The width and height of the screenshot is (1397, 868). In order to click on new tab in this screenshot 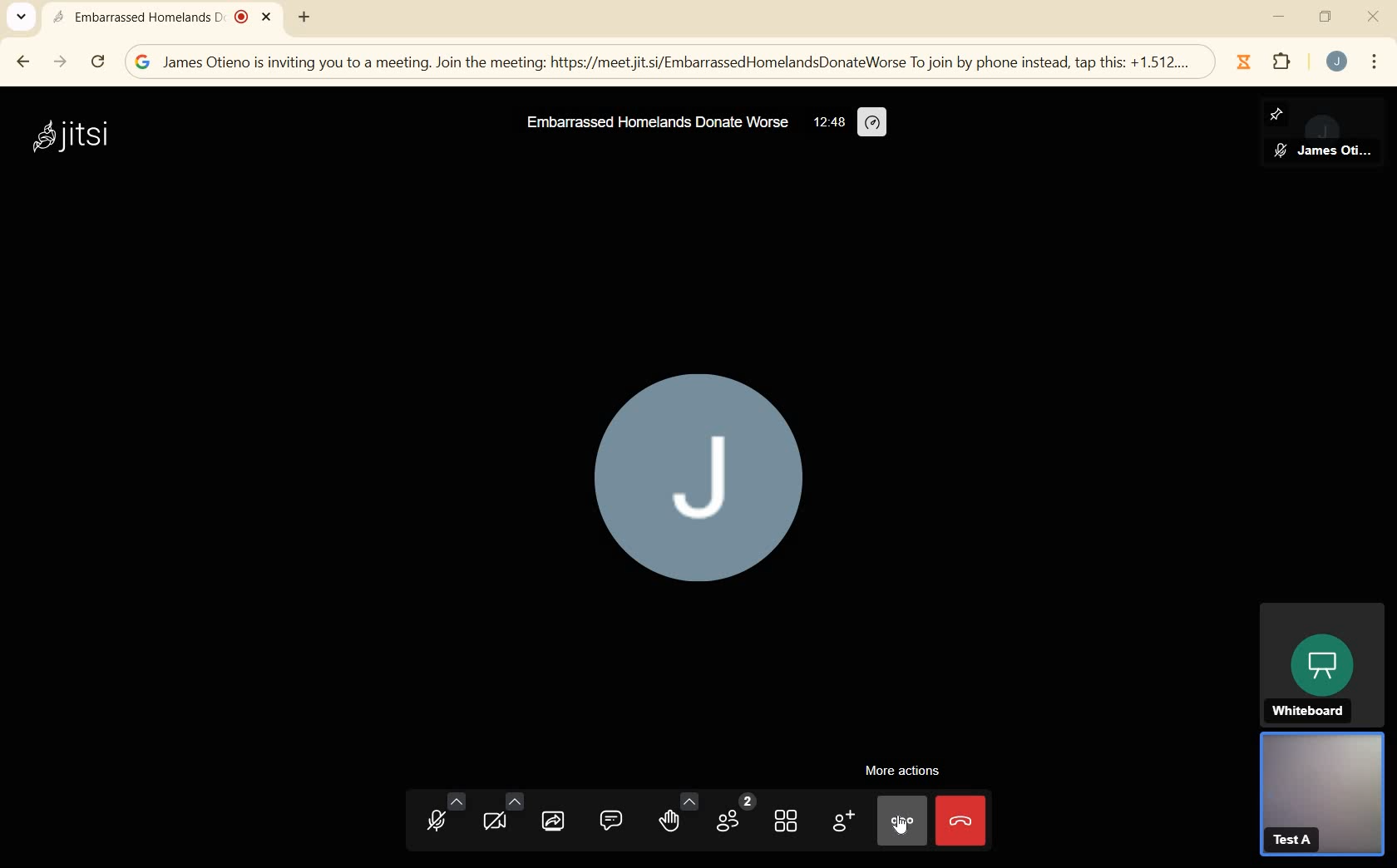, I will do `click(304, 16)`.